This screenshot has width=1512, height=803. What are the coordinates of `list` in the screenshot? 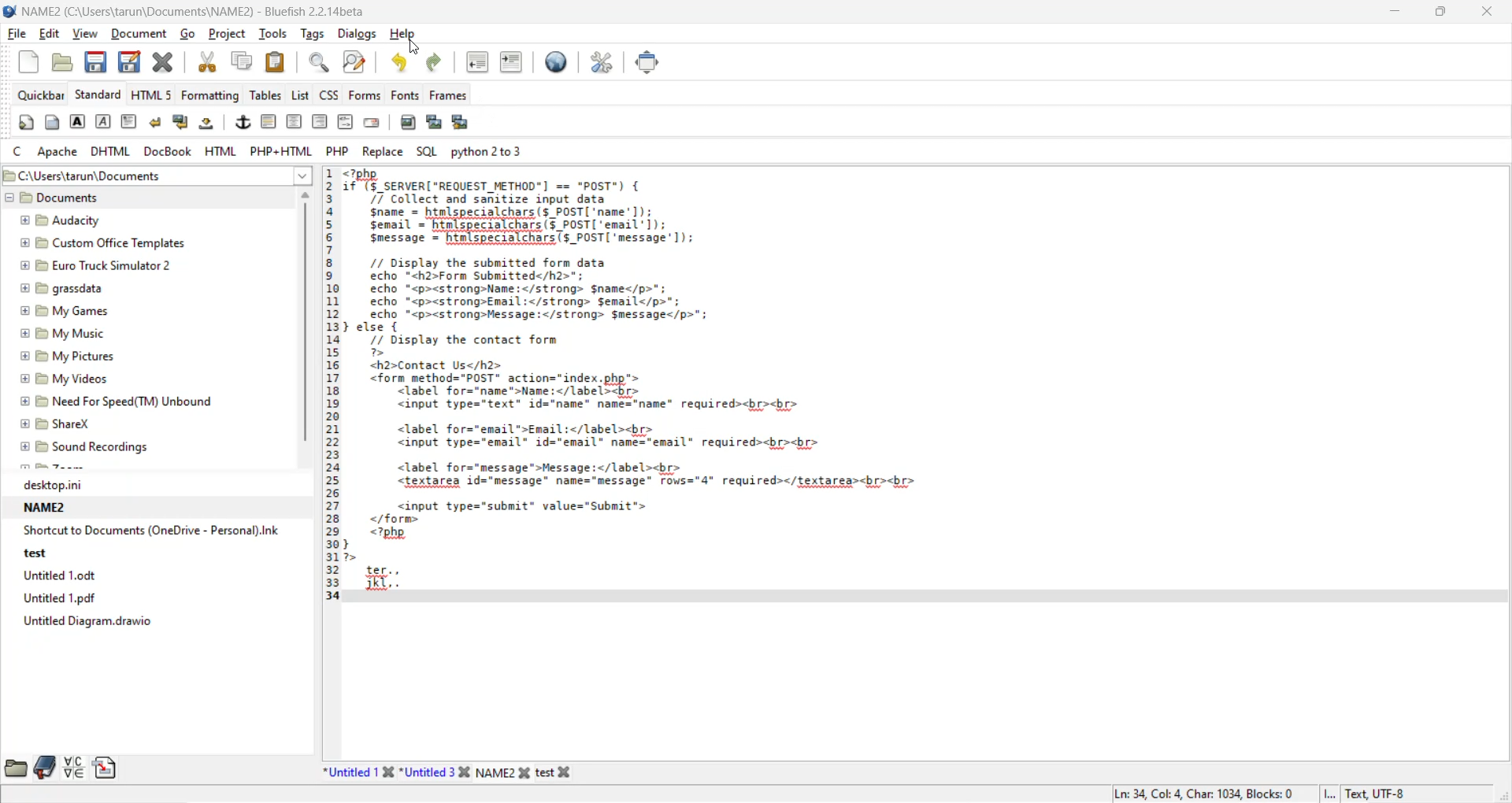 It's located at (301, 94).